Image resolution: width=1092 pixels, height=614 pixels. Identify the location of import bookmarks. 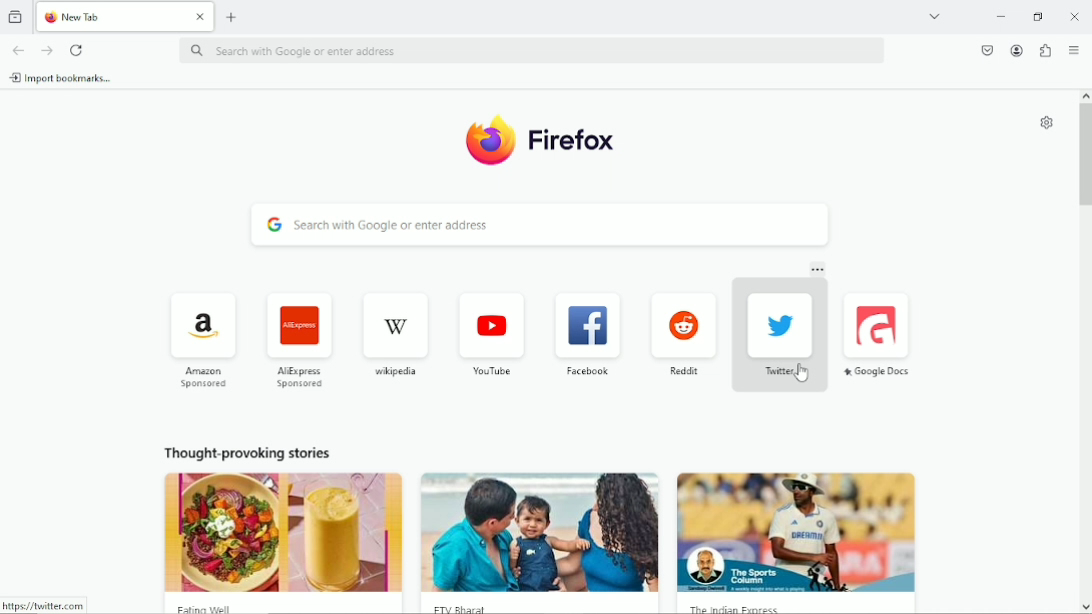
(61, 77).